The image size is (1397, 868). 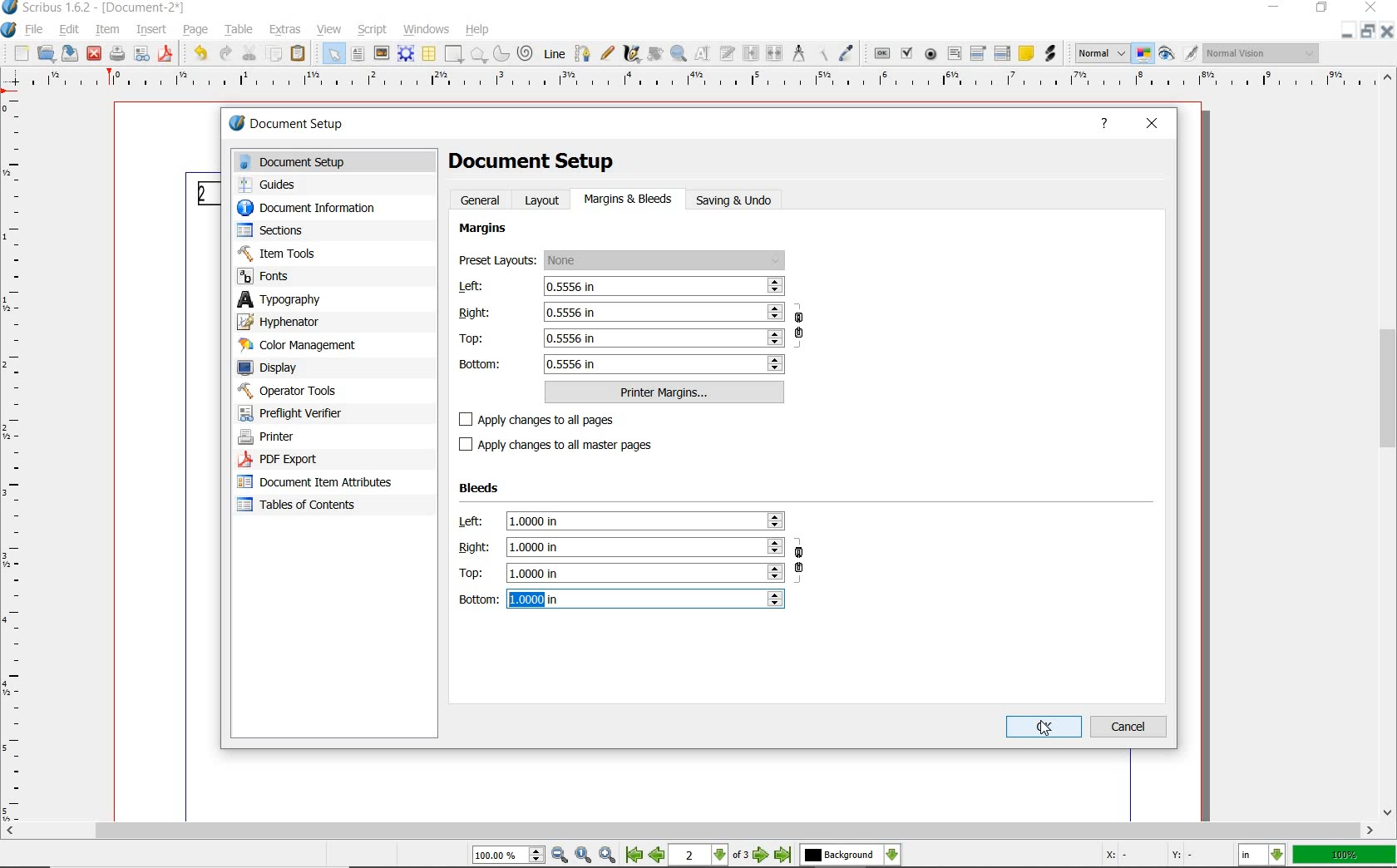 I want to click on Next Page, so click(x=762, y=856).